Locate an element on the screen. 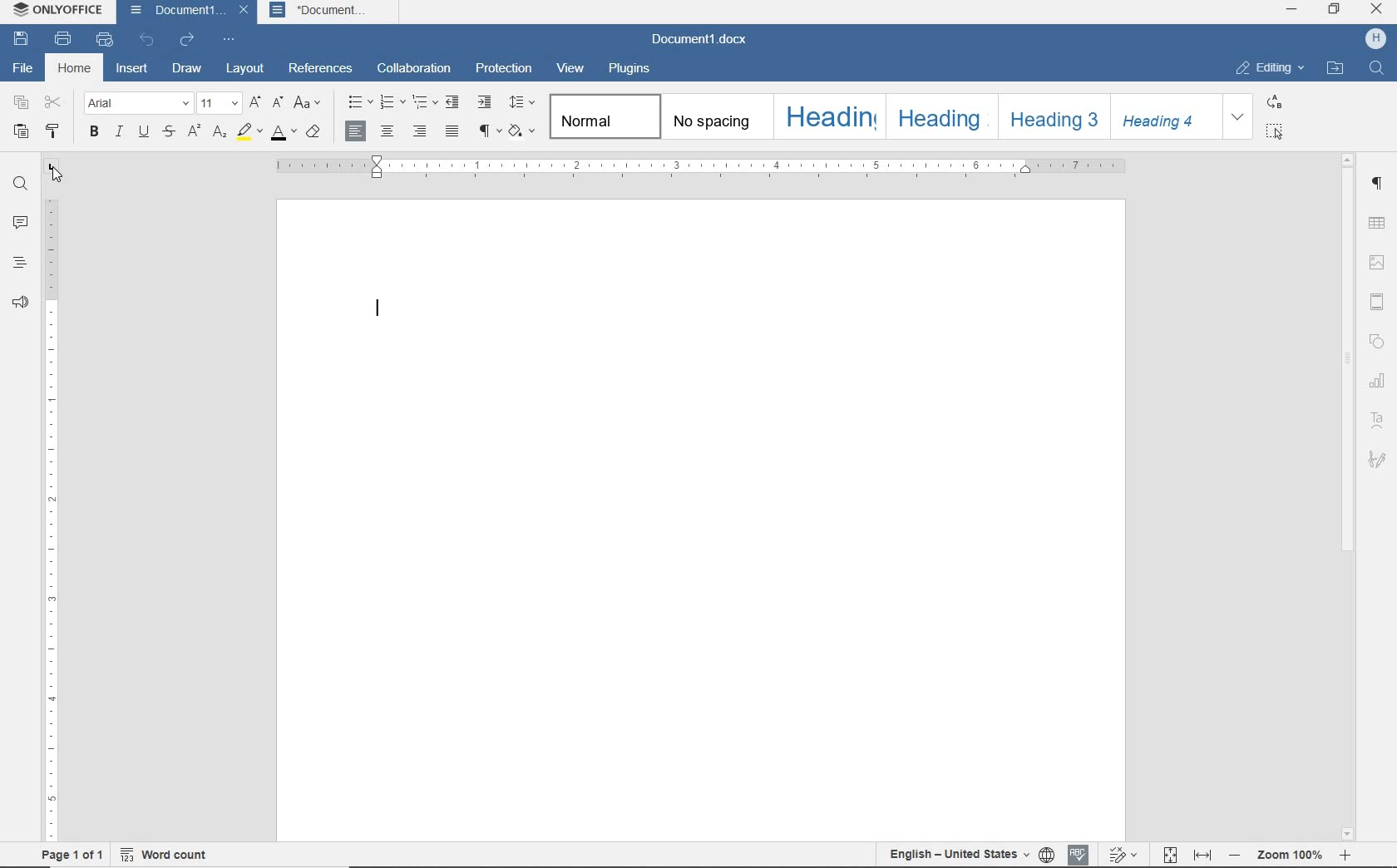  JUSTIFIED is located at coordinates (453, 133).